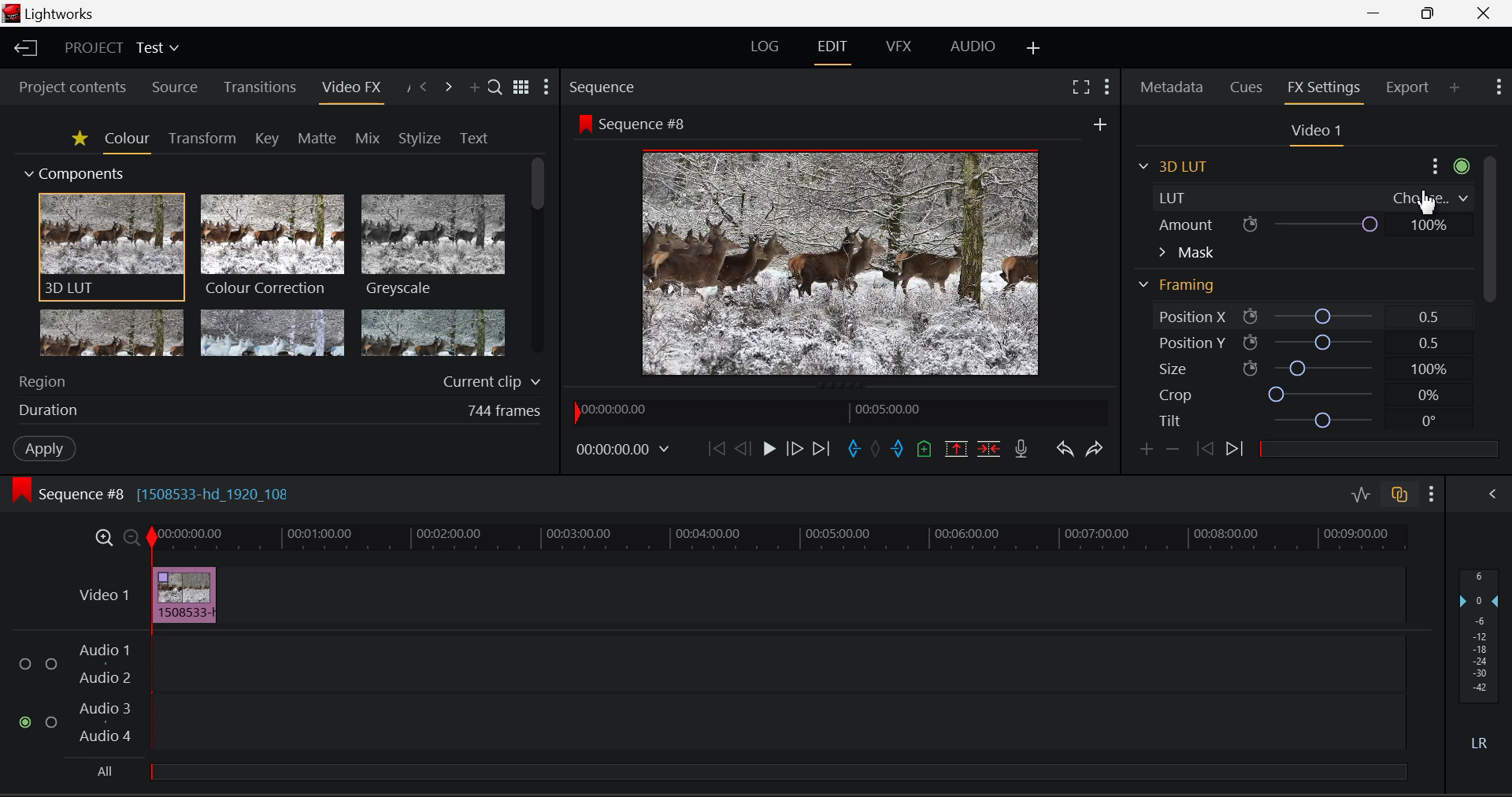 The width and height of the screenshot is (1512, 797). What do you see at coordinates (1489, 13) in the screenshot?
I see `Close` at bounding box center [1489, 13].